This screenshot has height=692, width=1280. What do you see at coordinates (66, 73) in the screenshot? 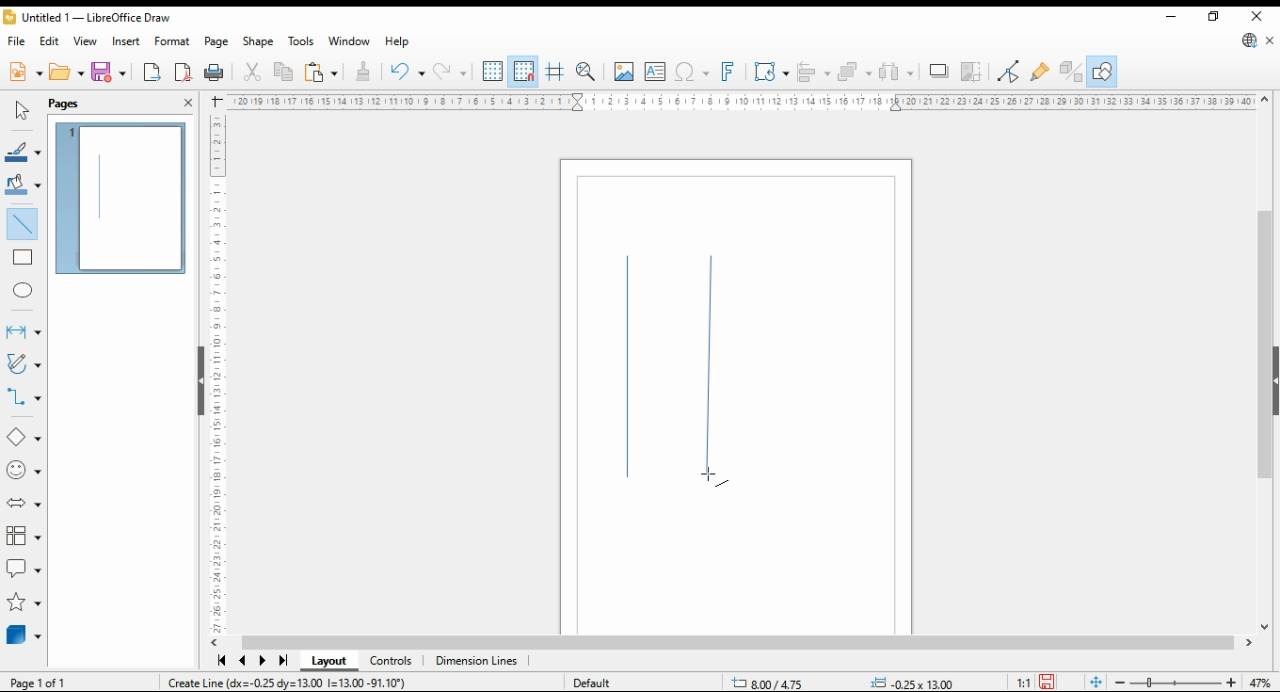
I see `open` at bounding box center [66, 73].